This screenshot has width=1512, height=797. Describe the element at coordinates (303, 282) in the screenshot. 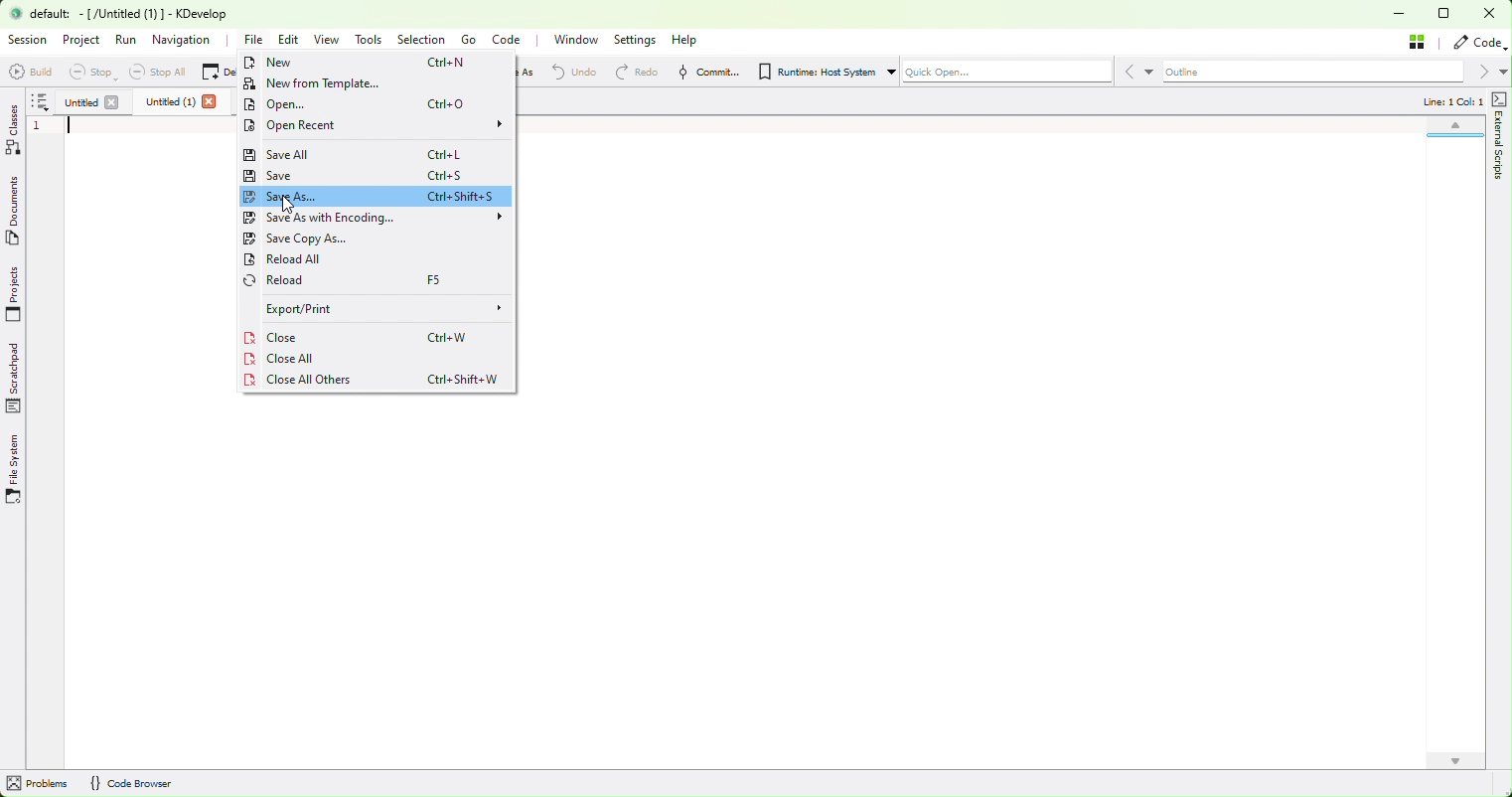

I see `Reload ` at that location.